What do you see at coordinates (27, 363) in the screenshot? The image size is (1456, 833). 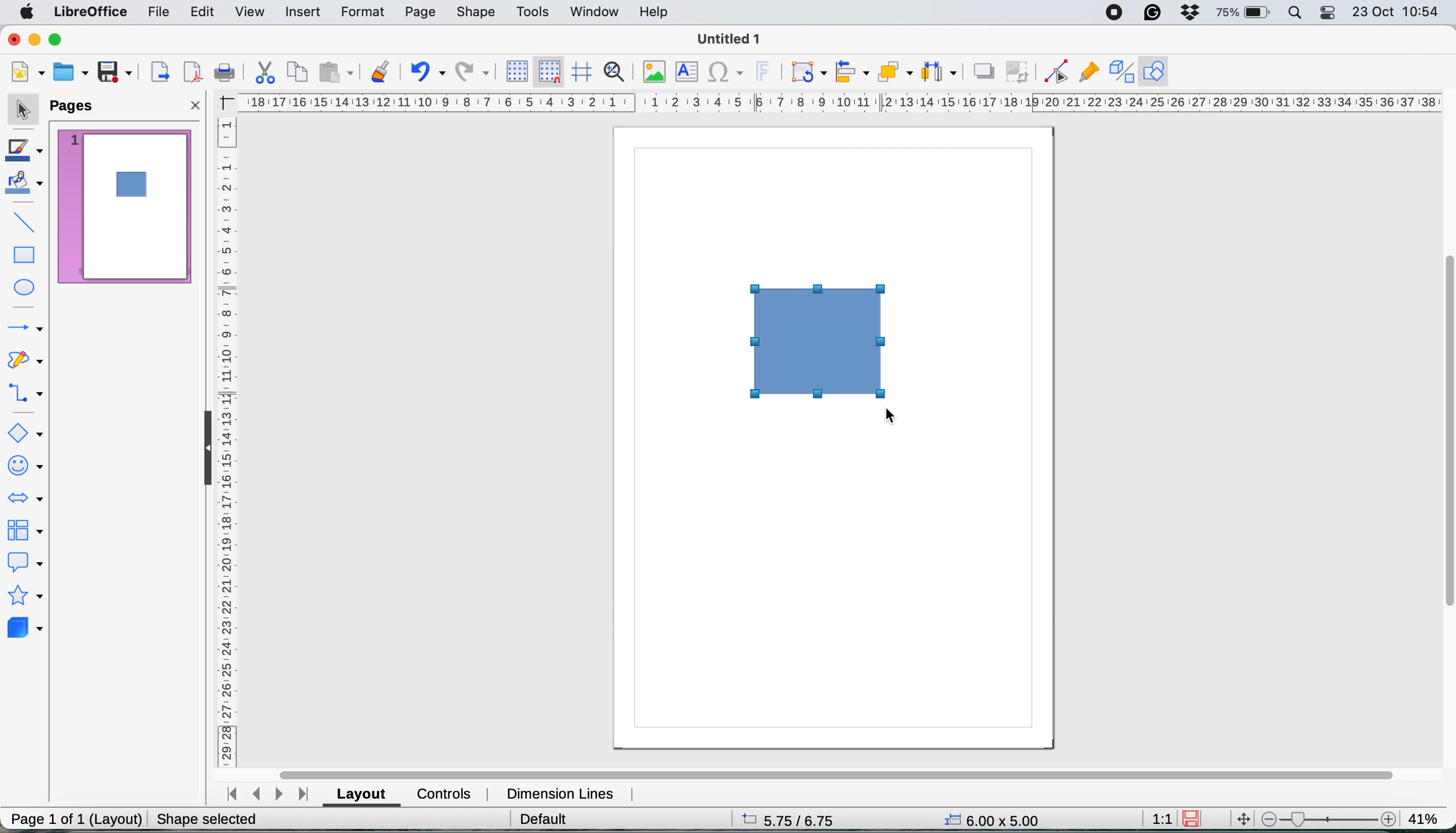 I see `curves and polygons` at bounding box center [27, 363].